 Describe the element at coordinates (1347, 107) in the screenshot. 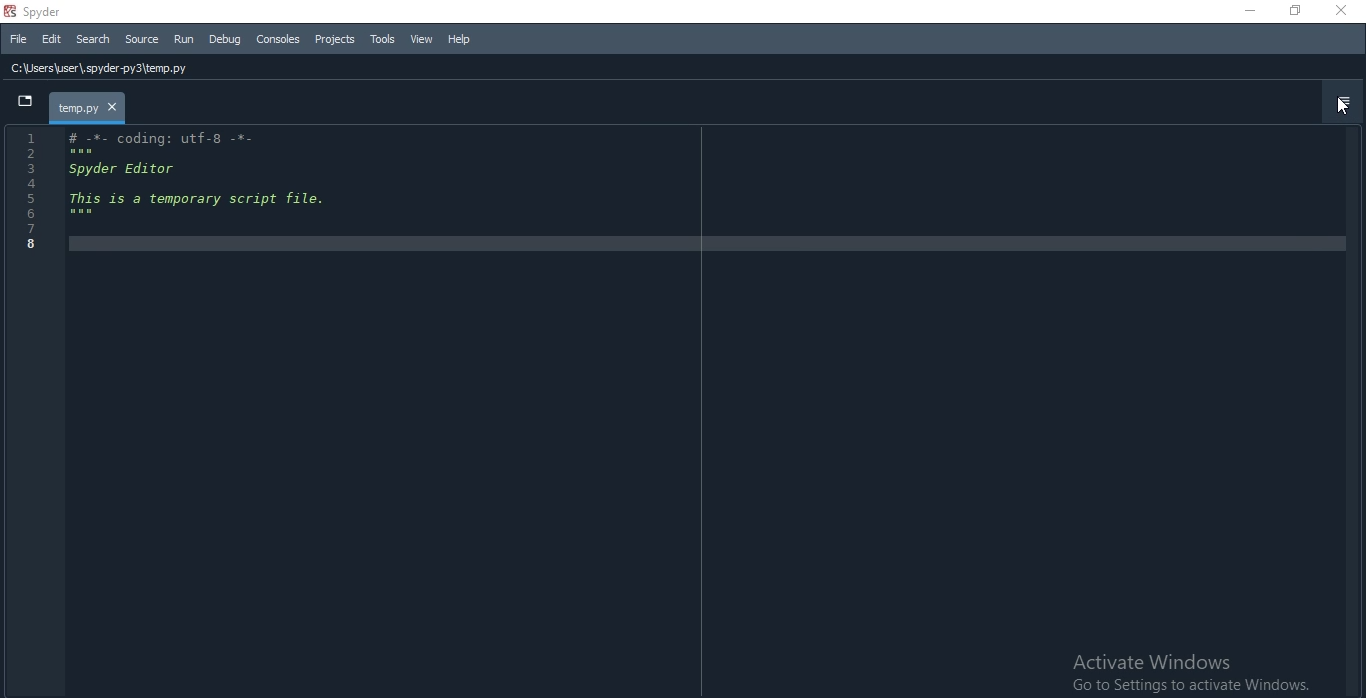

I see `Cursor on options` at that location.